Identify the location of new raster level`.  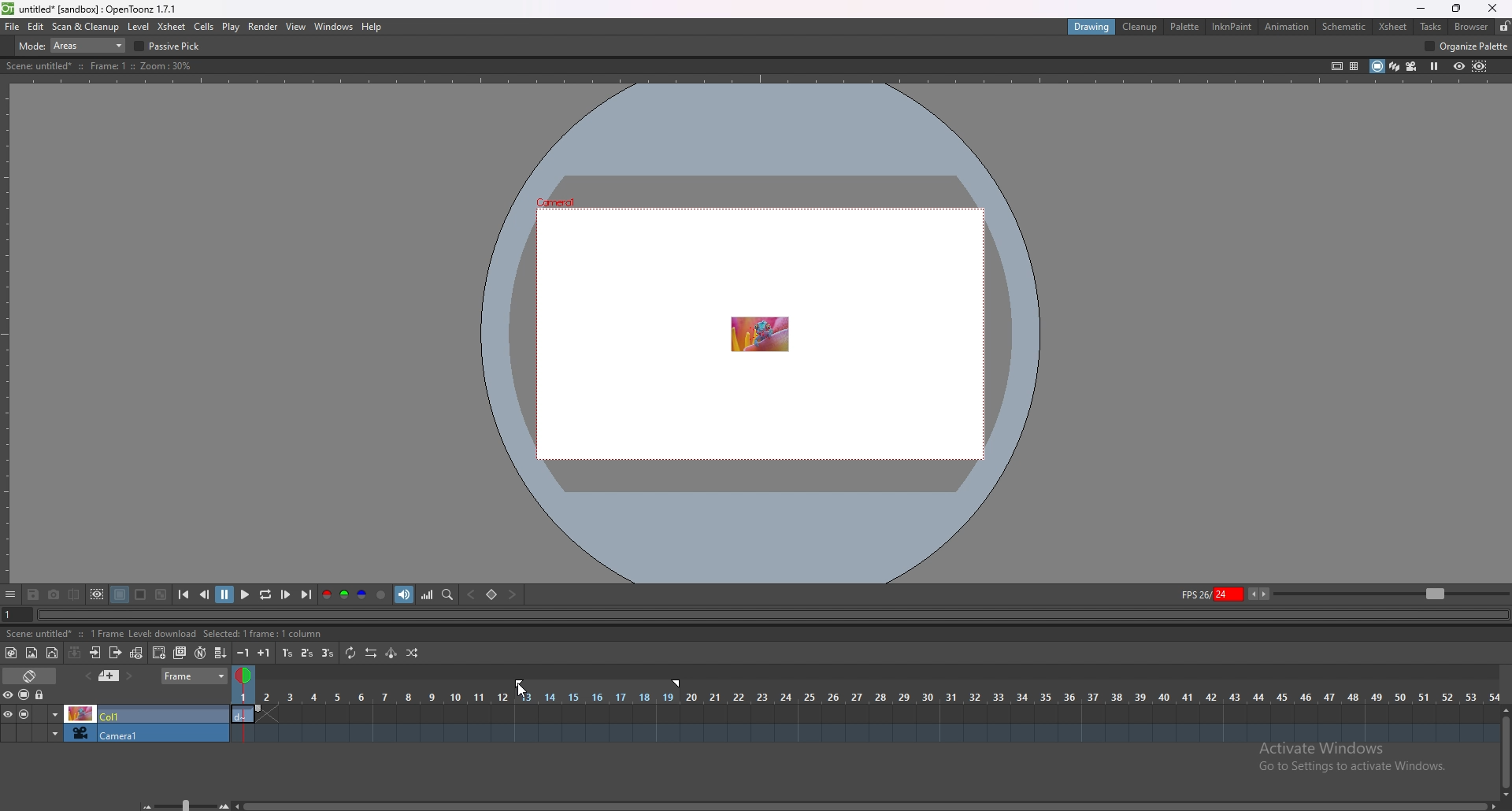
(31, 653).